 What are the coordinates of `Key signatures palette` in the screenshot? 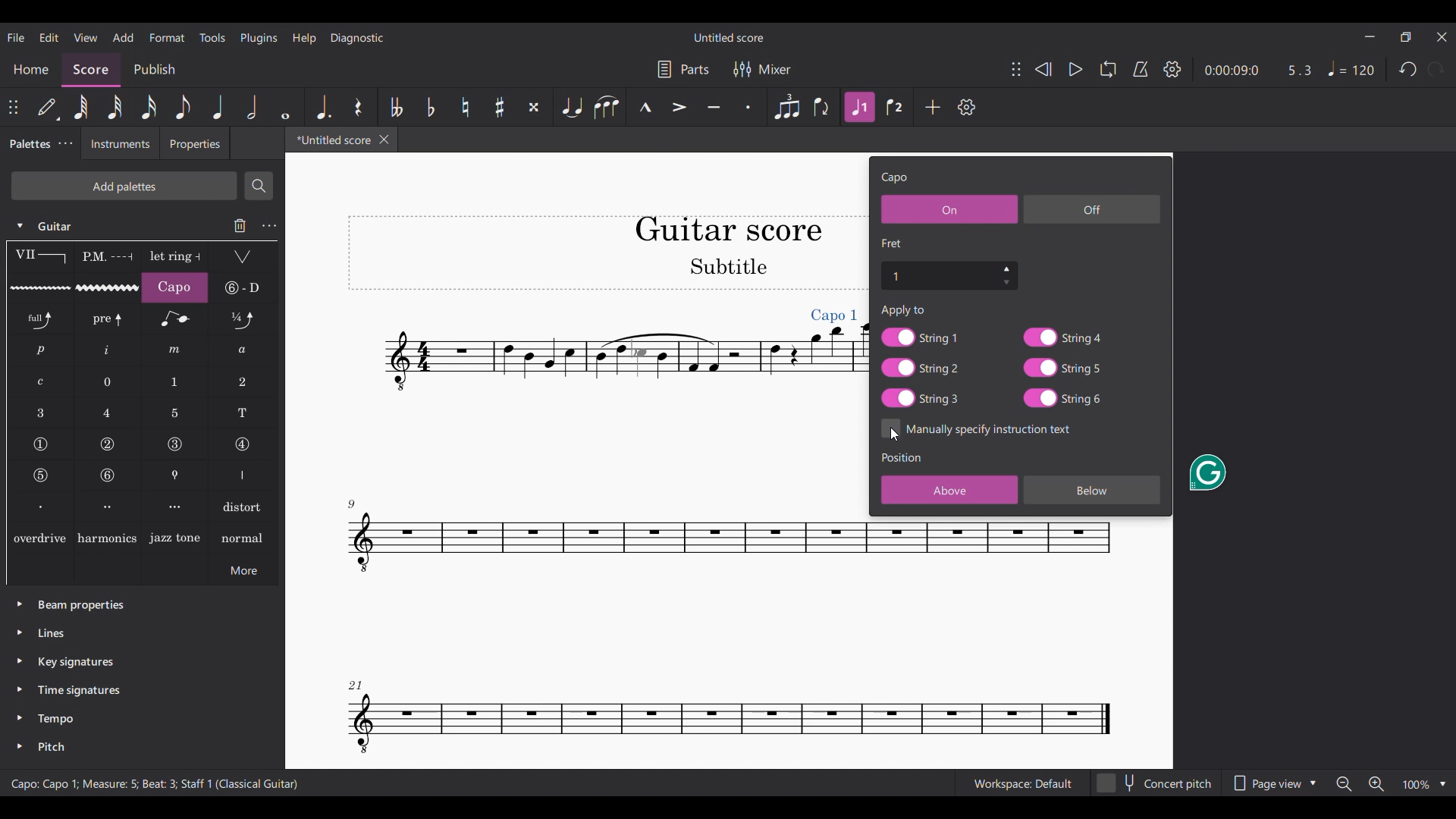 It's located at (76, 662).